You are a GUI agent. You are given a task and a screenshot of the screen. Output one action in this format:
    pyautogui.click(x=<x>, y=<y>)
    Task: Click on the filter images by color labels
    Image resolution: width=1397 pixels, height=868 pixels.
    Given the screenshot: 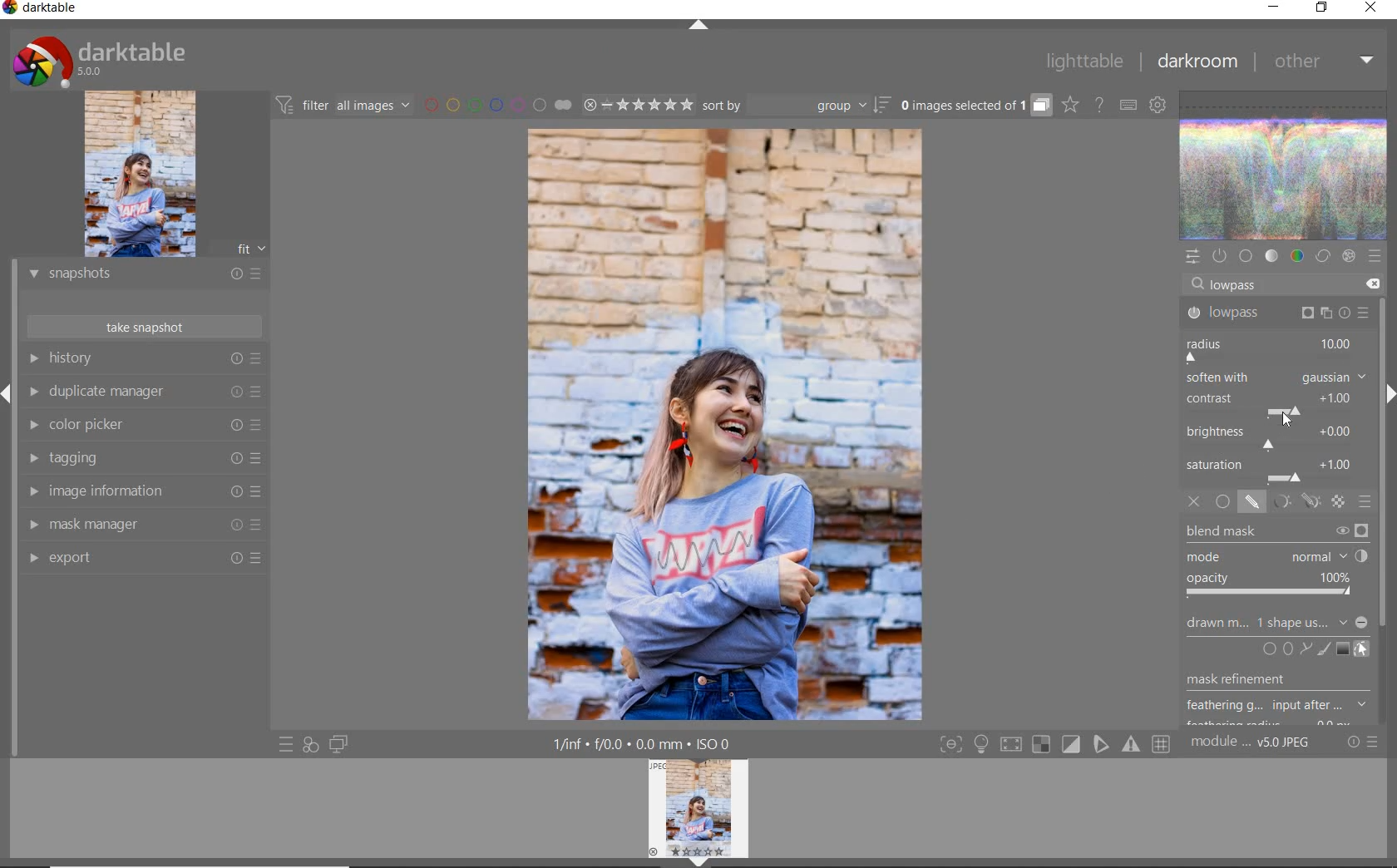 What is the action you would take?
    pyautogui.click(x=497, y=106)
    